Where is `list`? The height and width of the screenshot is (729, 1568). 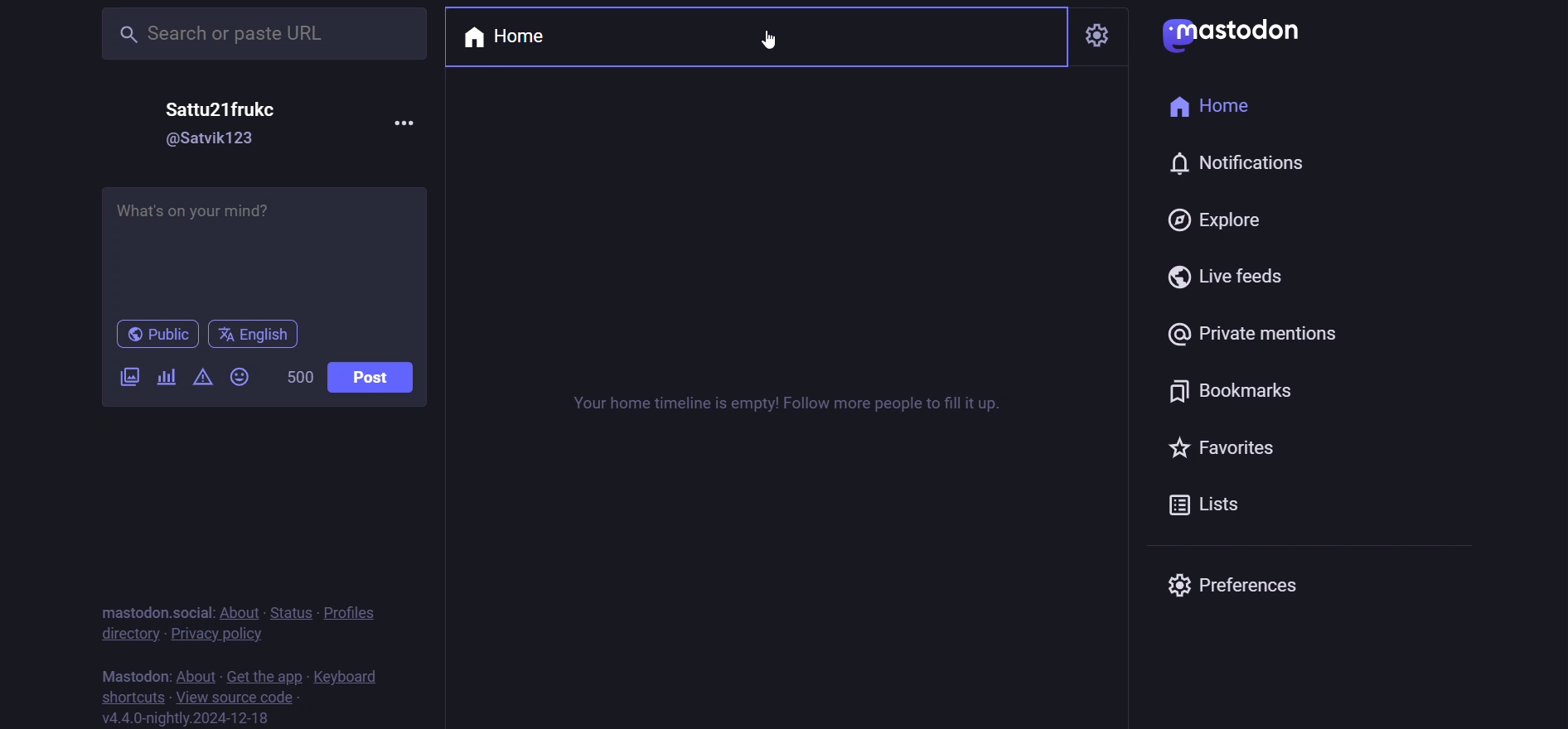 list is located at coordinates (1225, 503).